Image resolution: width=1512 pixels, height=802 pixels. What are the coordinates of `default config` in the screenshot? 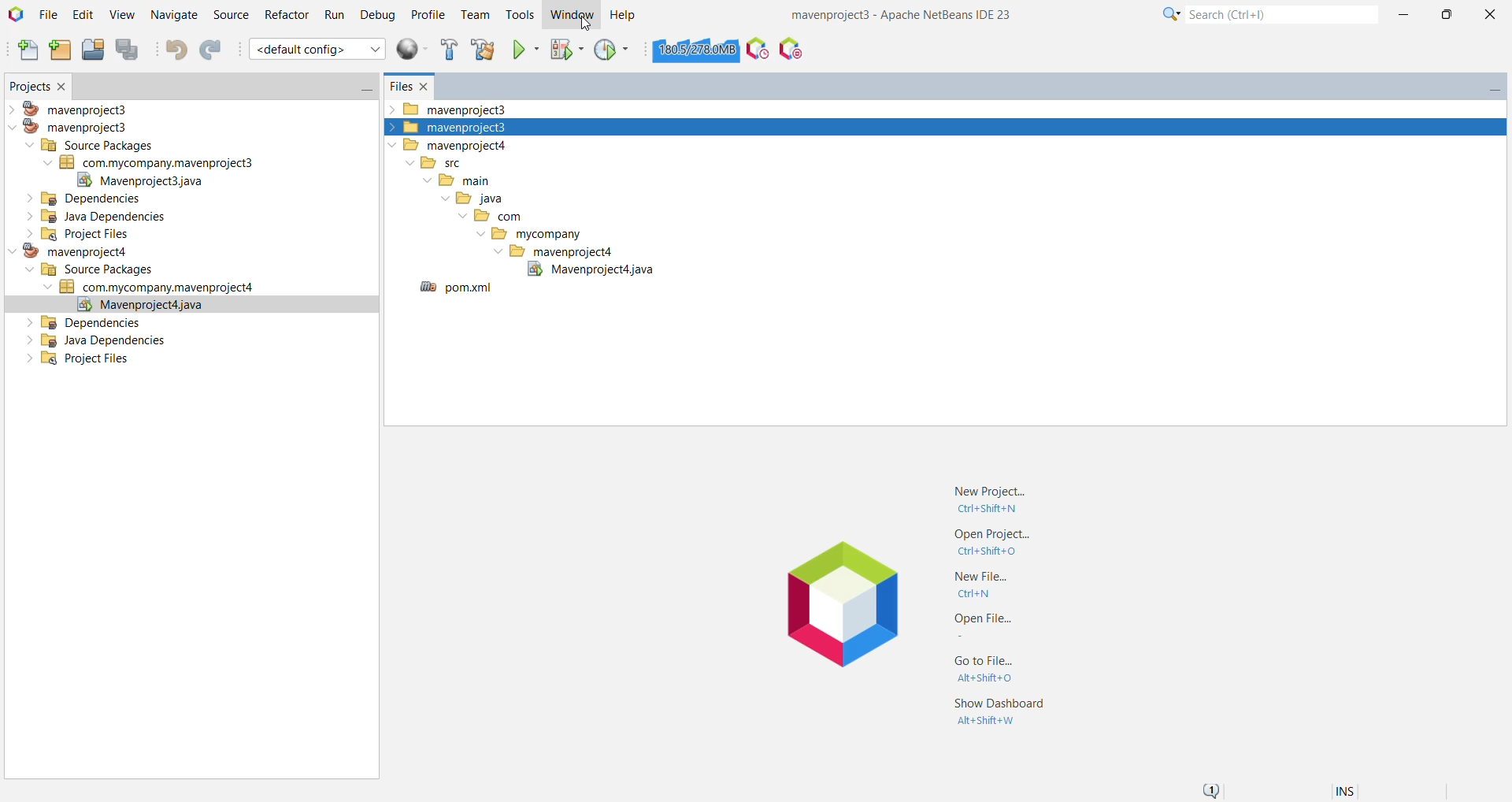 It's located at (319, 50).